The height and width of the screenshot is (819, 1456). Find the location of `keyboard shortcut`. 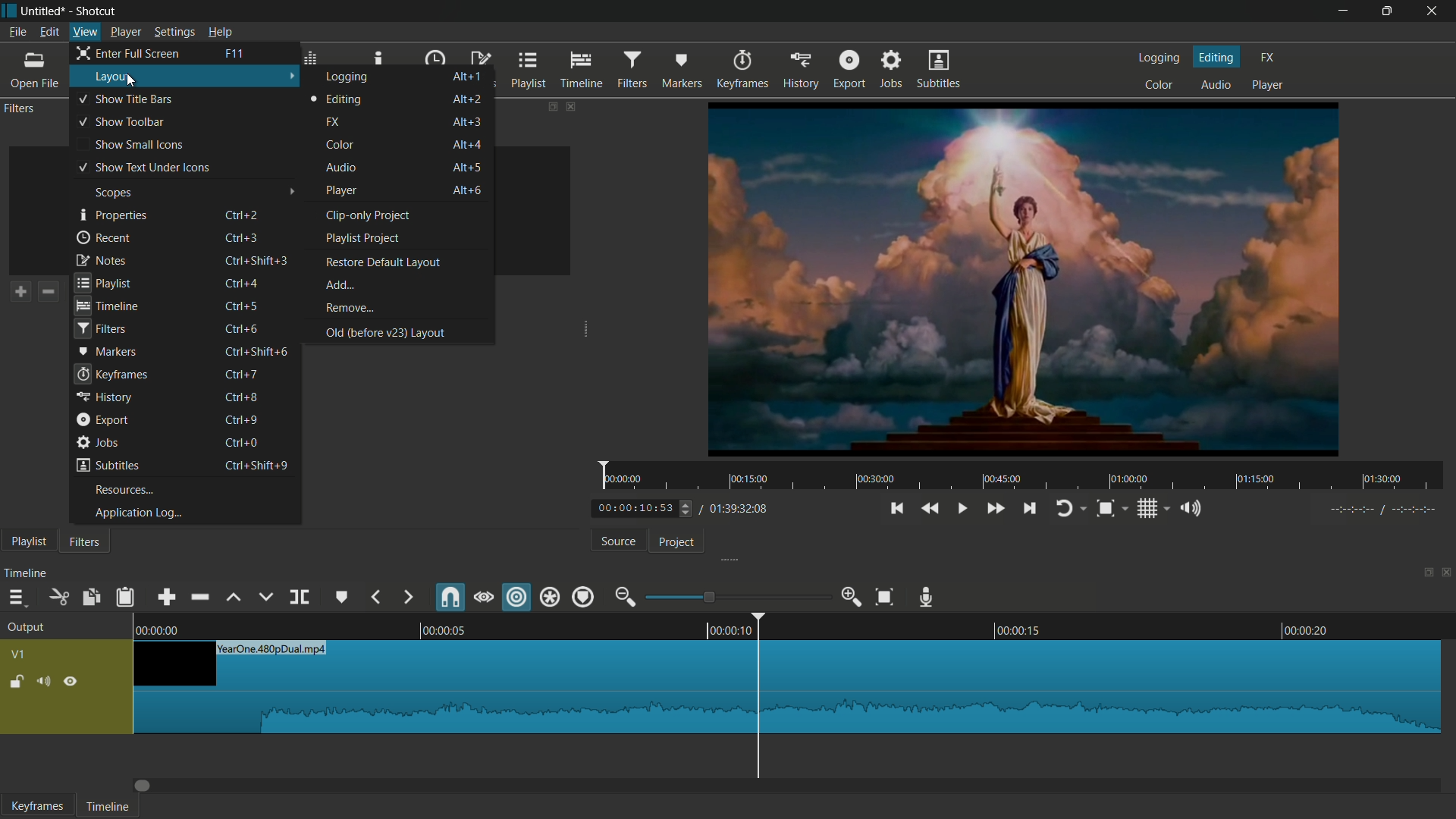

keyboard shortcut is located at coordinates (468, 76).